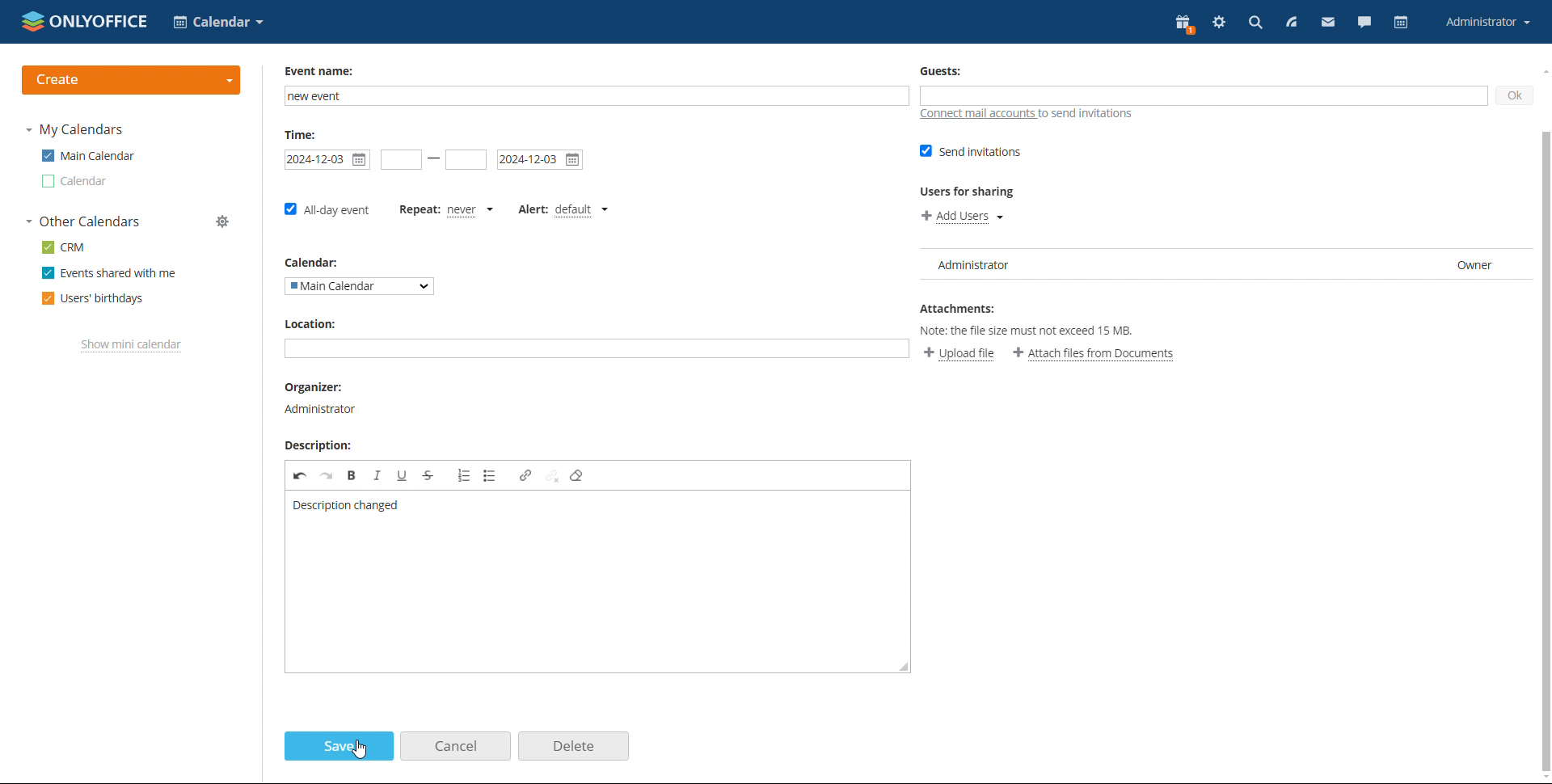 The width and height of the screenshot is (1552, 784). What do you see at coordinates (403, 477) in the screenshot?
I see `underline` at bounding box center [403, 477].